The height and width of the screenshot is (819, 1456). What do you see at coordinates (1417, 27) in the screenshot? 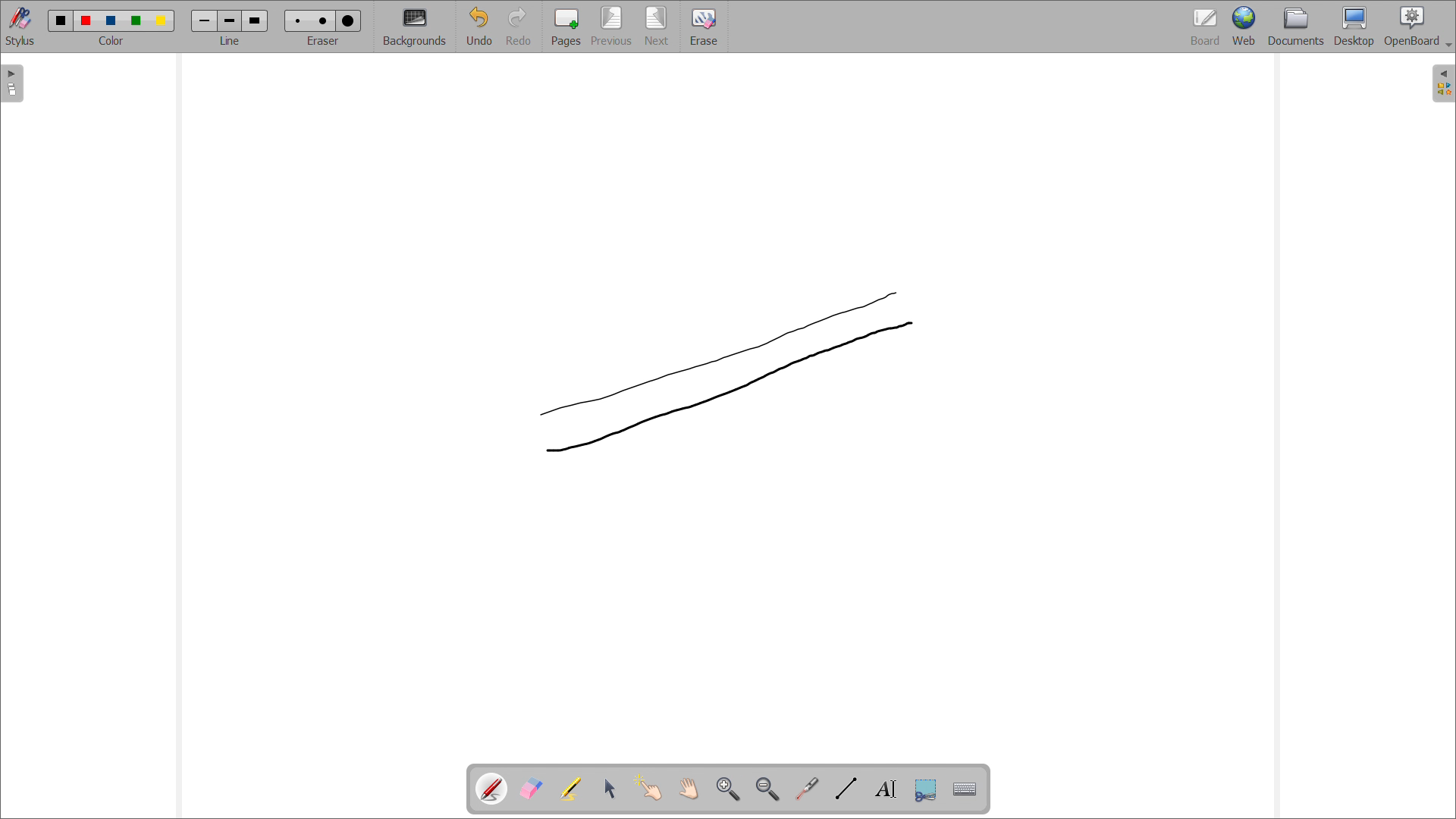
I see `openboard settings` at bounding box center [1417, 27].